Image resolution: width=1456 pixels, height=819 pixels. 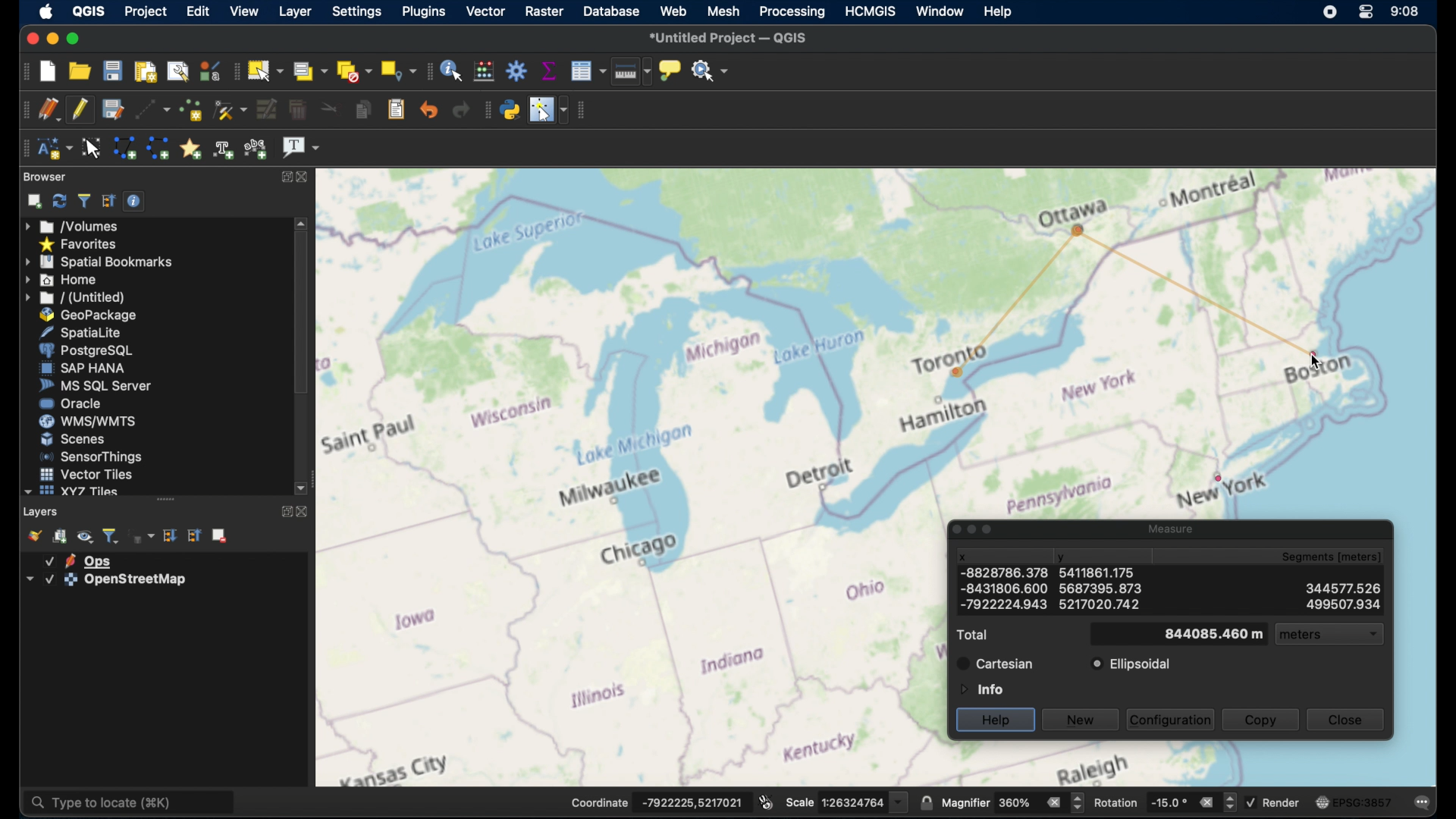 What do you see at coordinates (93, 147) in the screenshot?
I see `modify annotations` at bounding box center [93, 147].